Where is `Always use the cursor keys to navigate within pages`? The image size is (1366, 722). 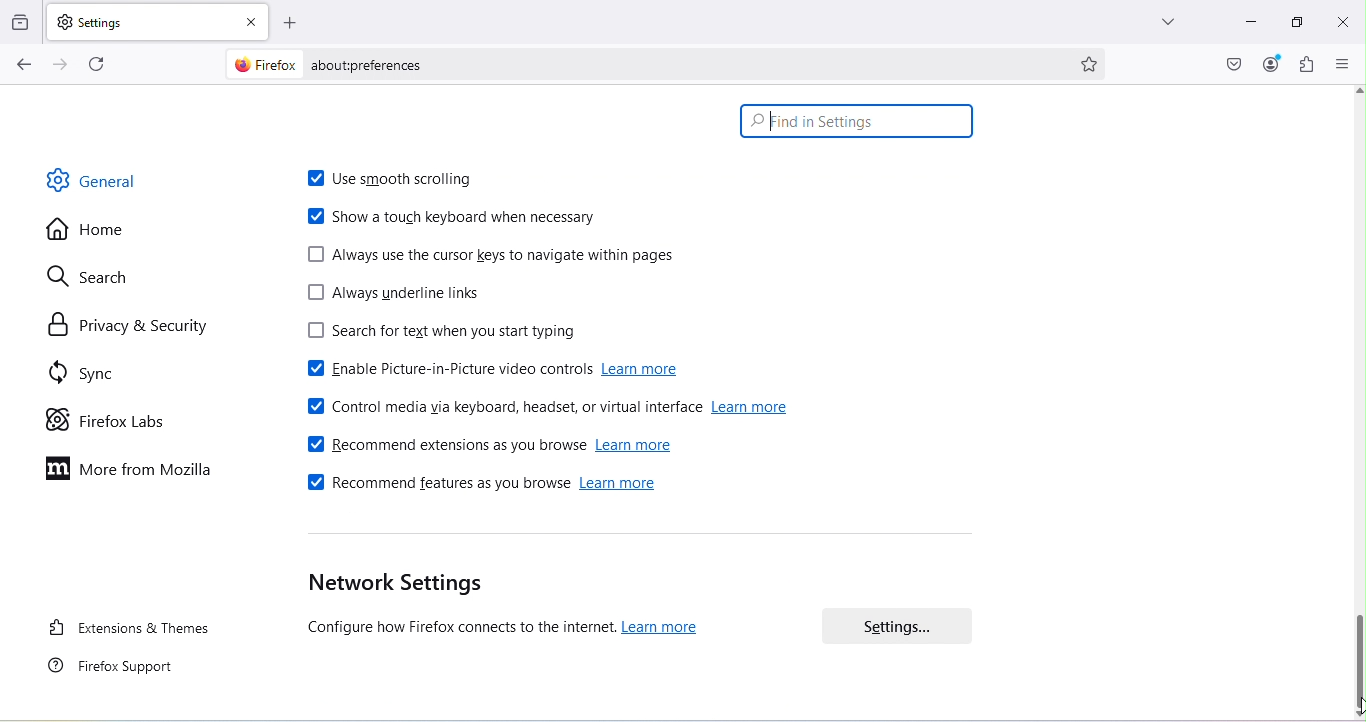
Always use the cursor keys to navigate within pages is located at coordinates (493, 259).